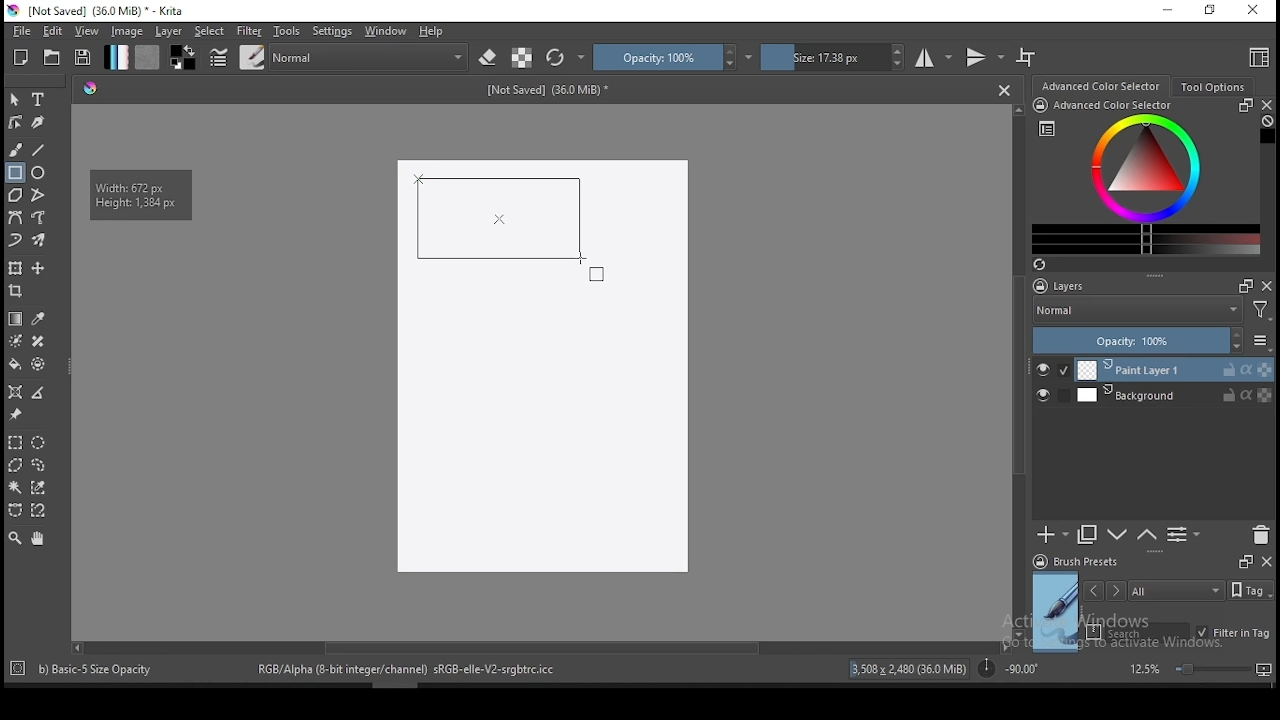 The height and width of the screenshot is (720, 1280). What do you see at coordinates (1047, 266) in the screenshot?
I see `Refresh` at bounding box center [1047, 266].